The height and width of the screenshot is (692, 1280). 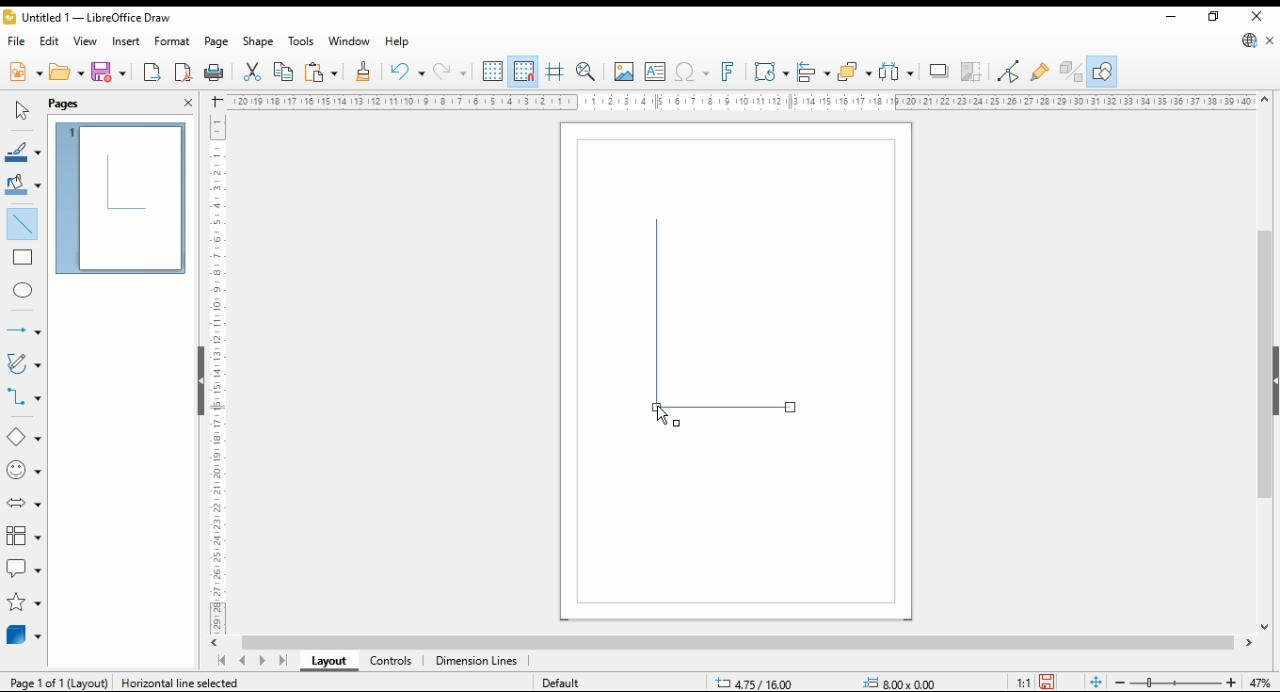 I want to click on line color, so click(x=22, y=153).